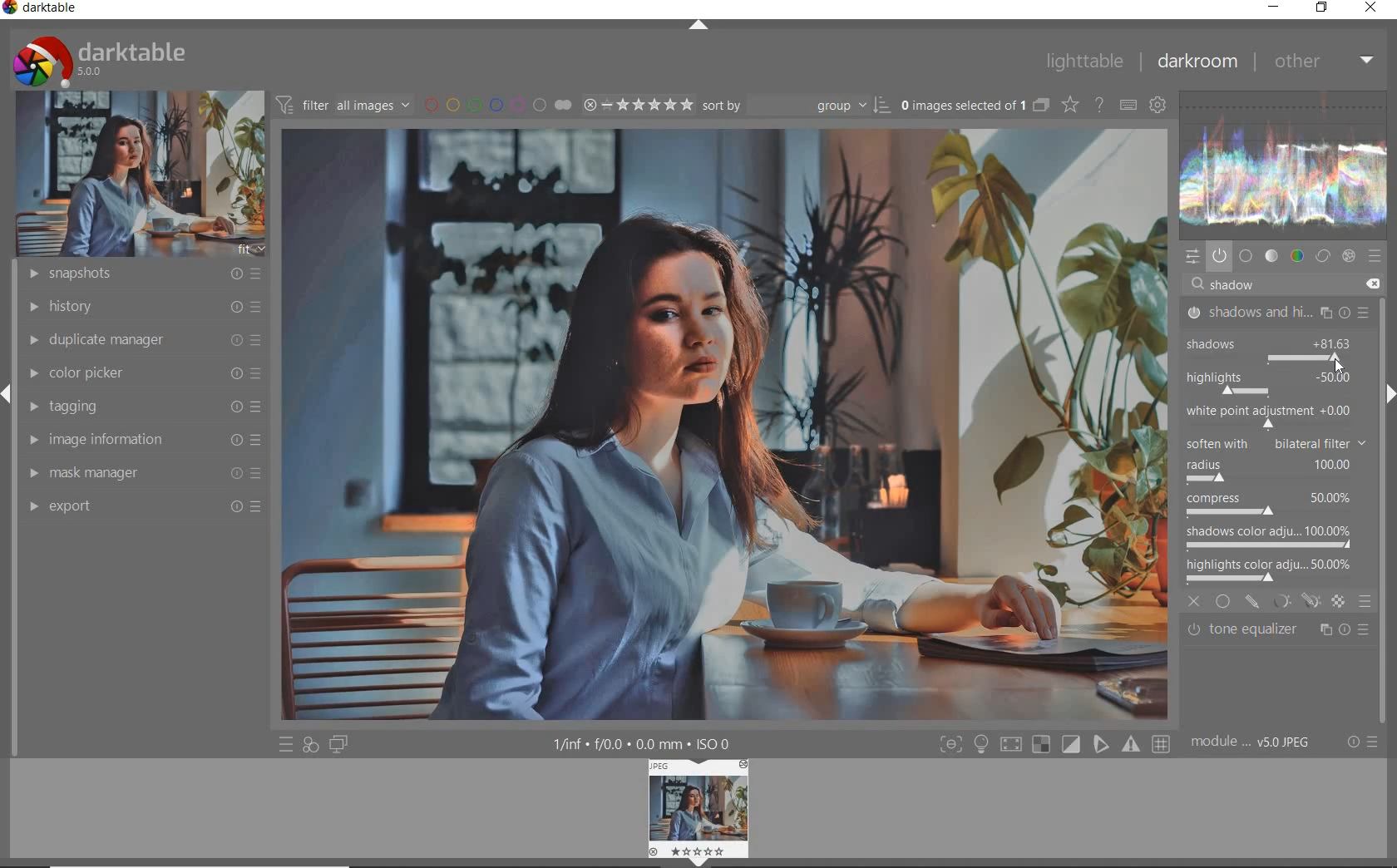 This screenshot has height=868, width=1397. I want to click on restore, so click(1324, 8).